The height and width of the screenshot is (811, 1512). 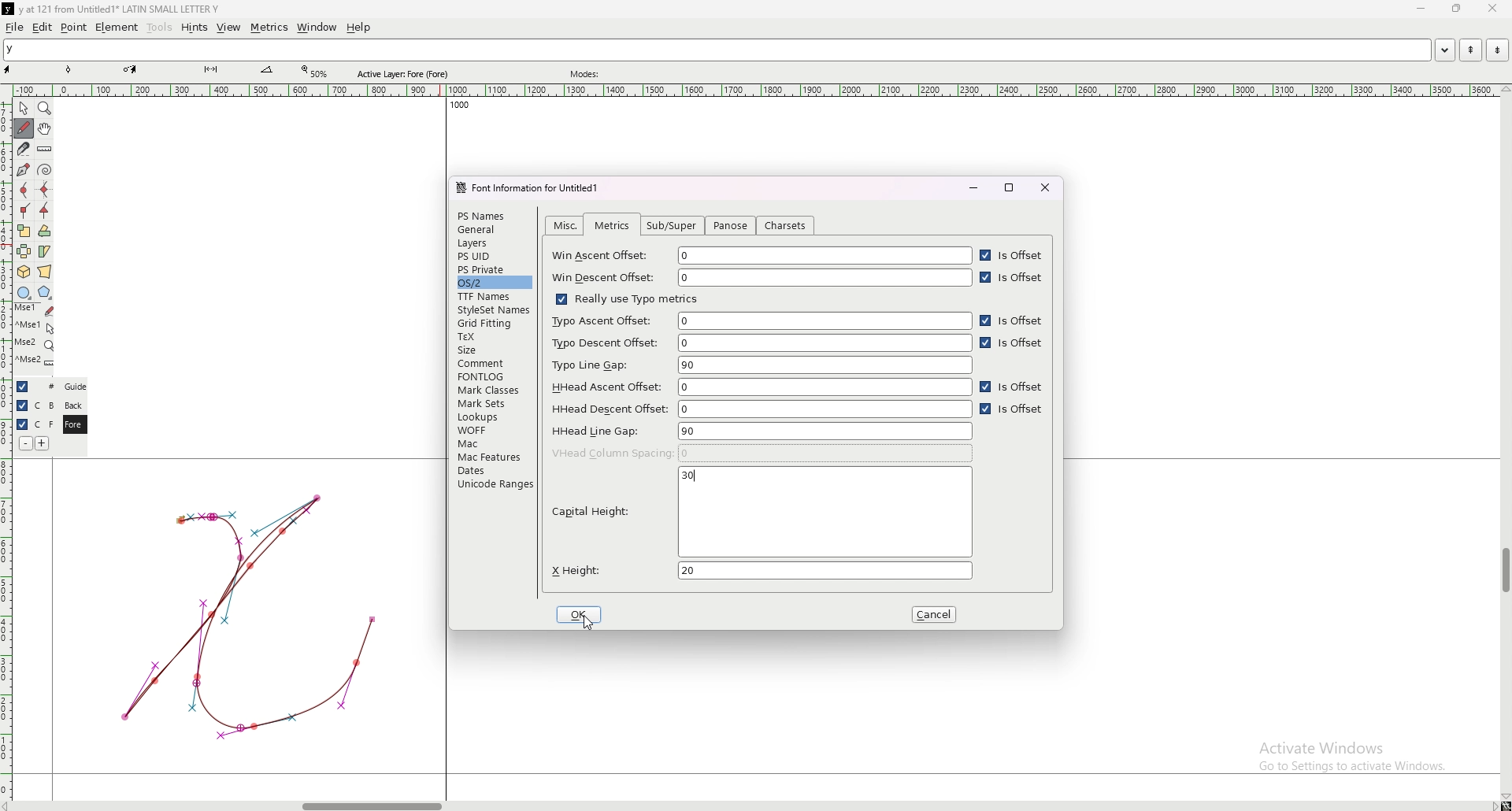 I want to click on fore, so click(x=73, y=425).